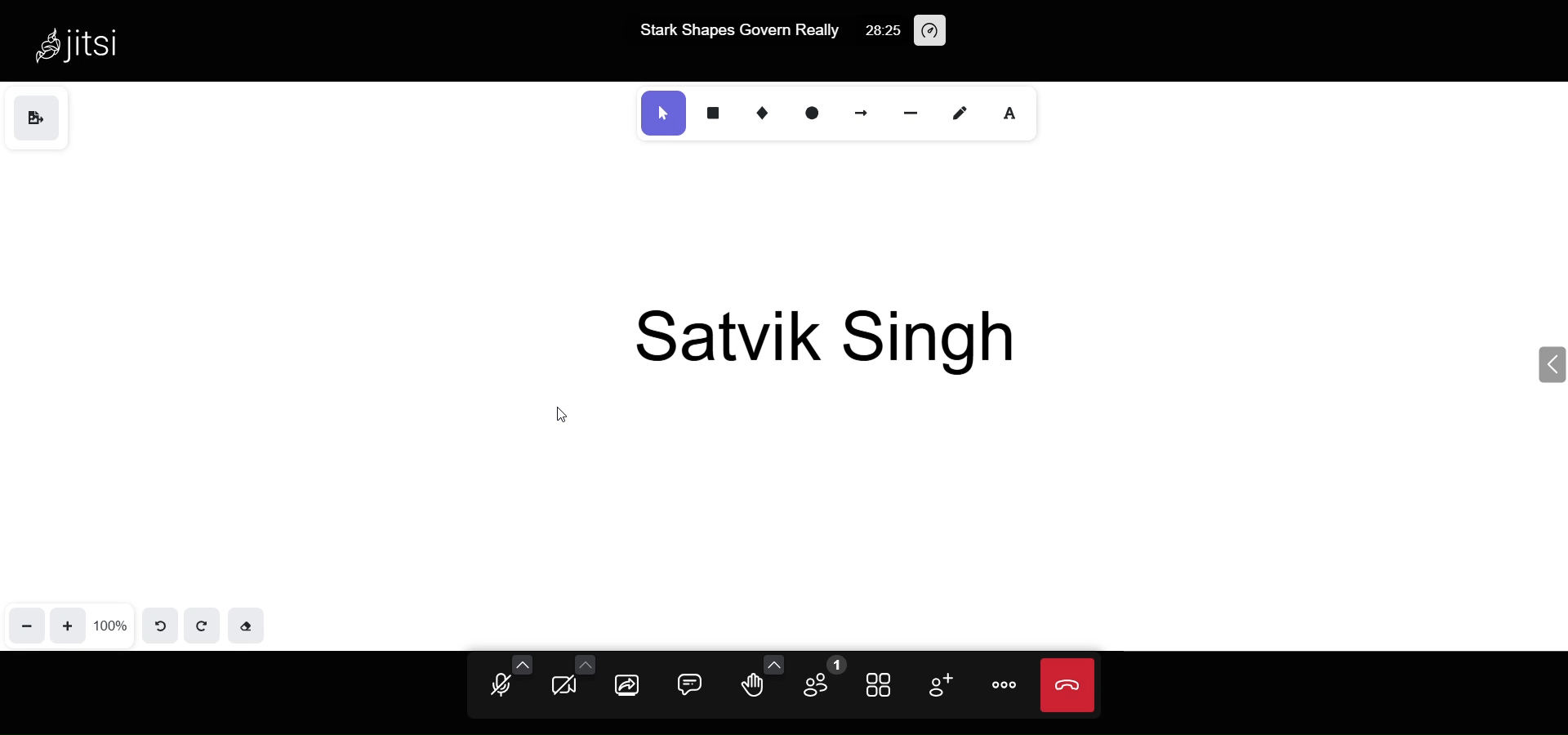 This screenshot has width=1568, height=735. Describe the element at coordinates (934, 32) in the screenshot. I see `performance setting` at that location.